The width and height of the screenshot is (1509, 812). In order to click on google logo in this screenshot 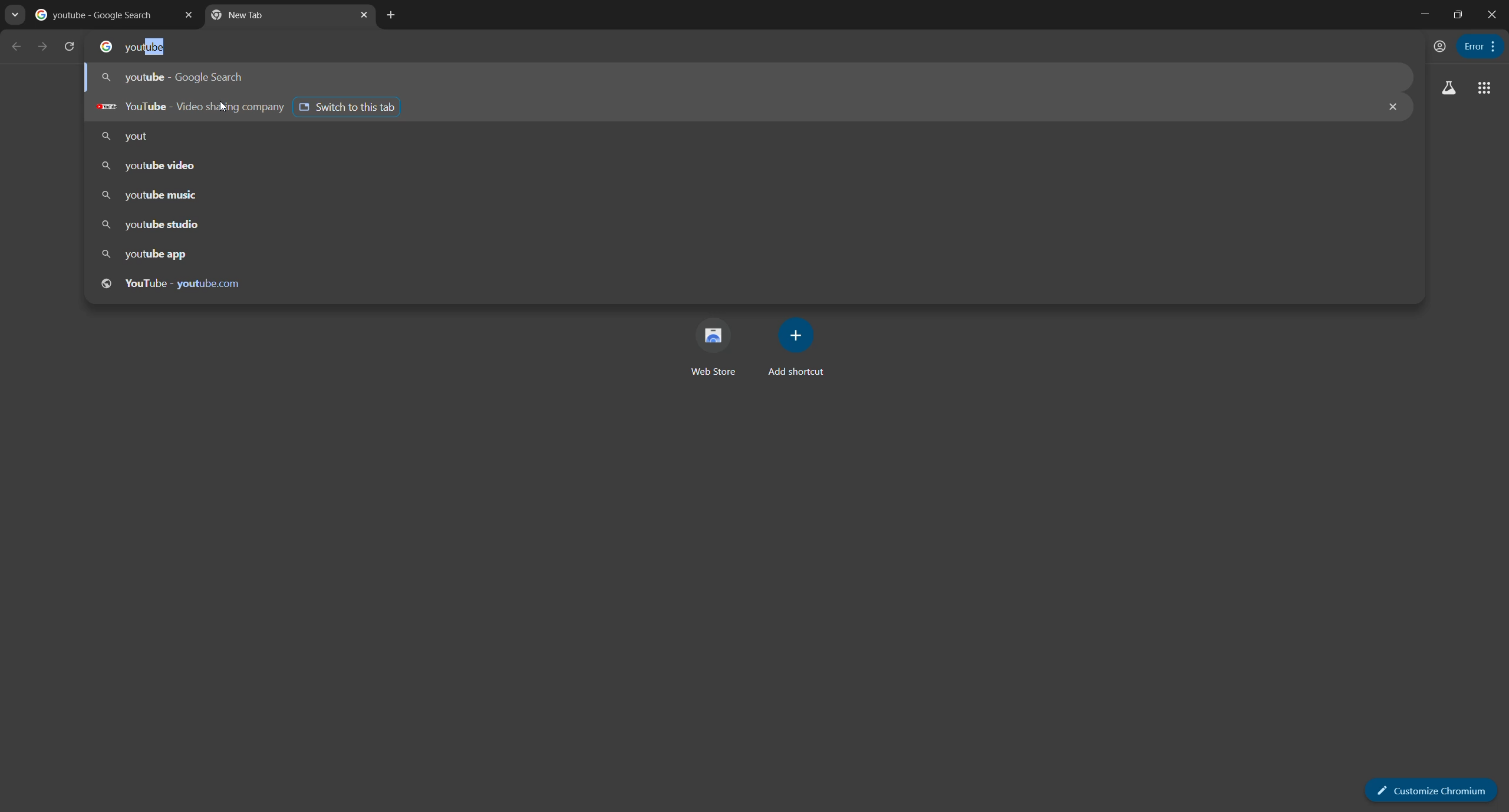, I will do `click(101, 47)`.